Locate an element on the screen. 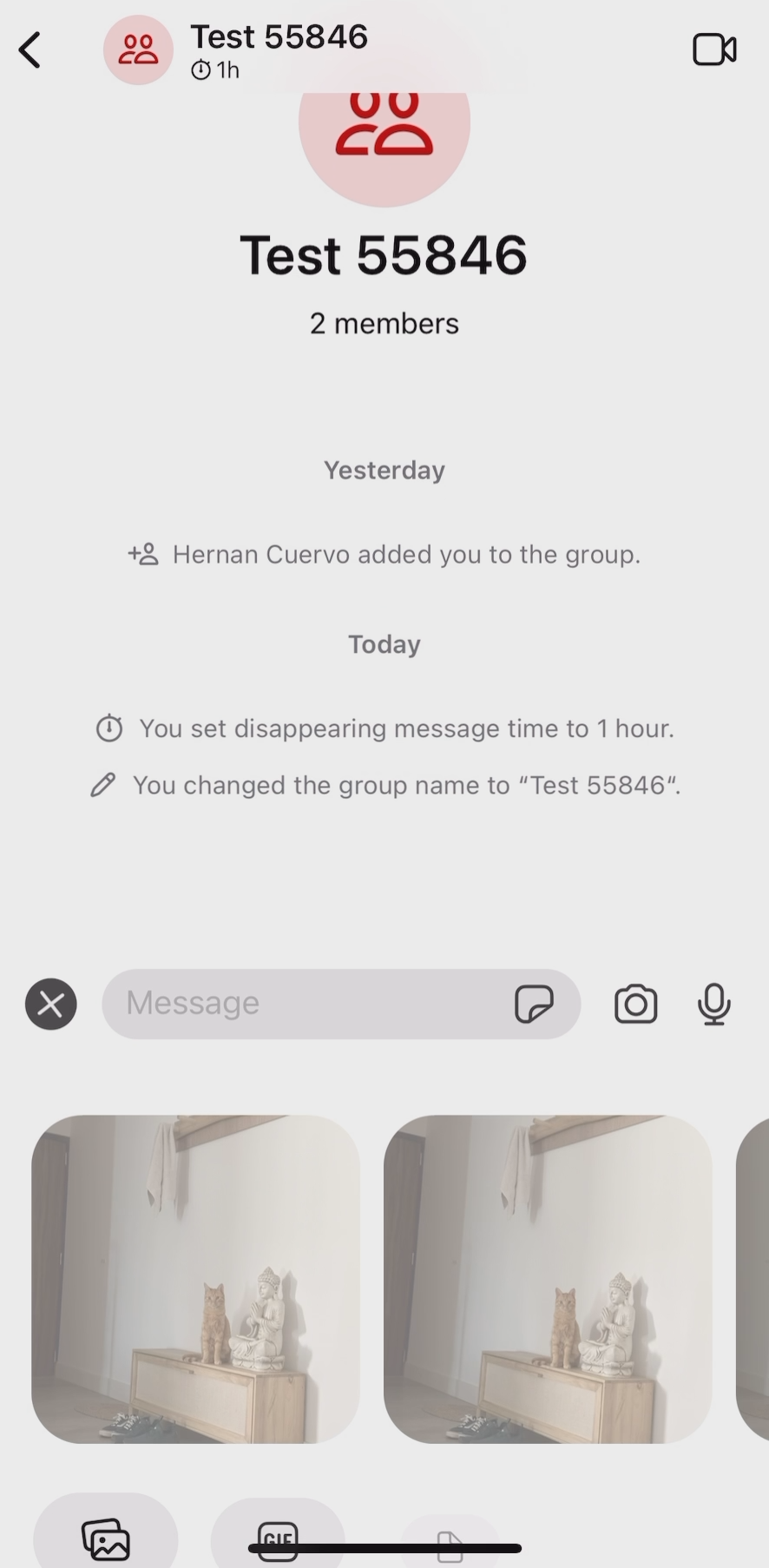  / You changed the group name to “Test 55846". is located at coordinates (384, 794).